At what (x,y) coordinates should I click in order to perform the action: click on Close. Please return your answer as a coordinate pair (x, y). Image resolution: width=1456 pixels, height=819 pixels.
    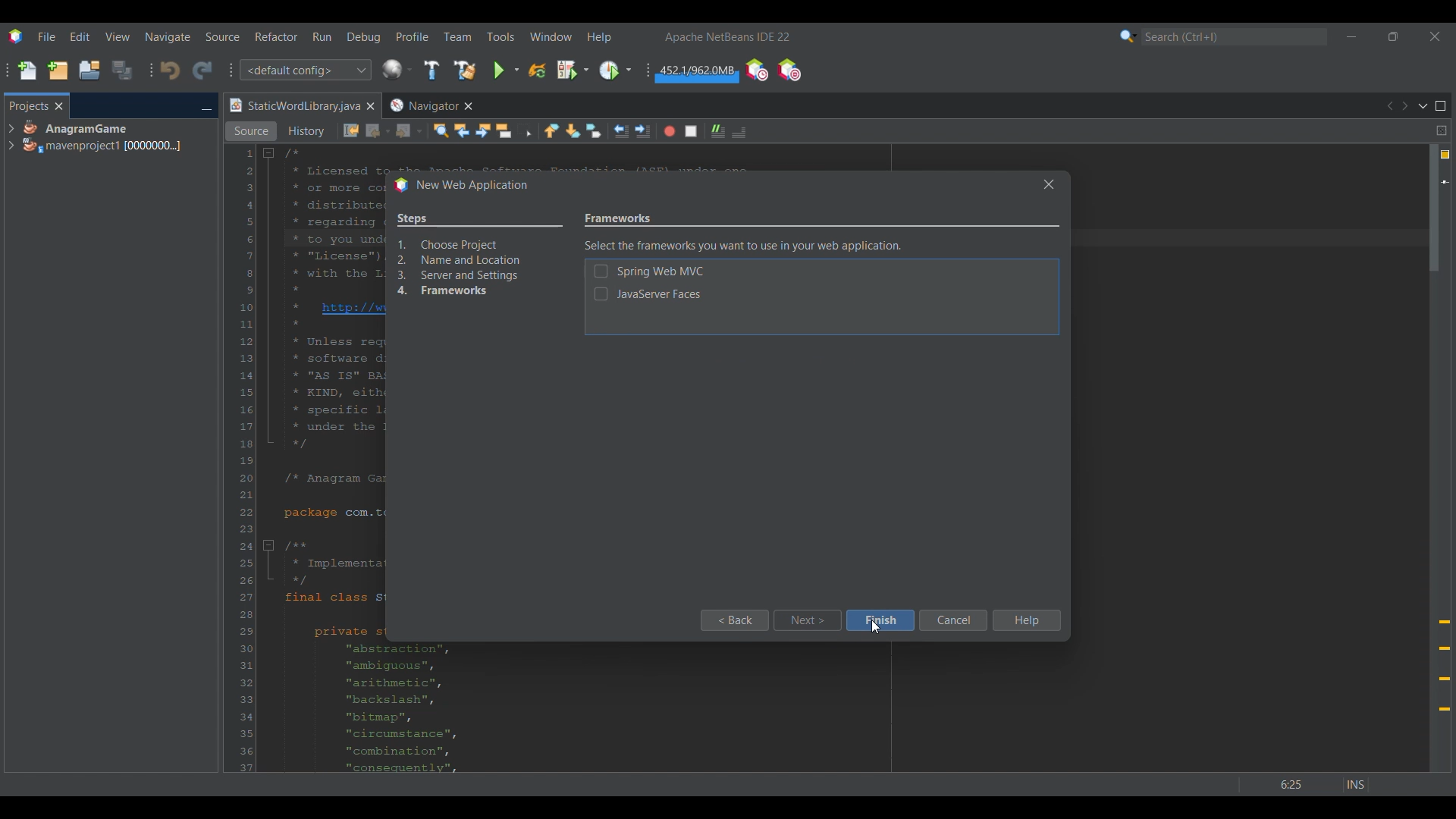
    Looking at the image, I should click on (370, 106).